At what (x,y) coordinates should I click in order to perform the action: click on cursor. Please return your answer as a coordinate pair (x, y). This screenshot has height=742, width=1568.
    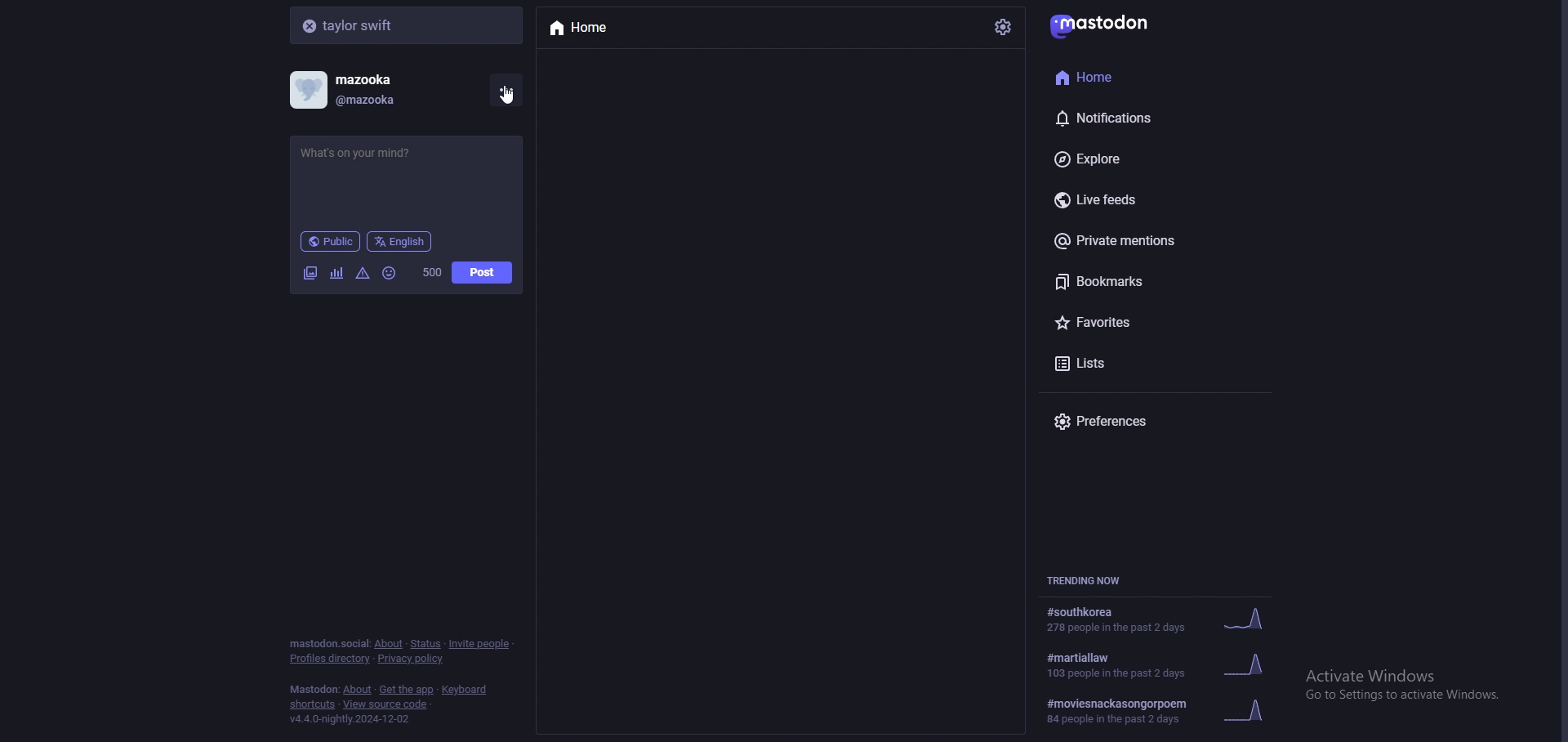
    Looking at the image, I should click on (513, 105).